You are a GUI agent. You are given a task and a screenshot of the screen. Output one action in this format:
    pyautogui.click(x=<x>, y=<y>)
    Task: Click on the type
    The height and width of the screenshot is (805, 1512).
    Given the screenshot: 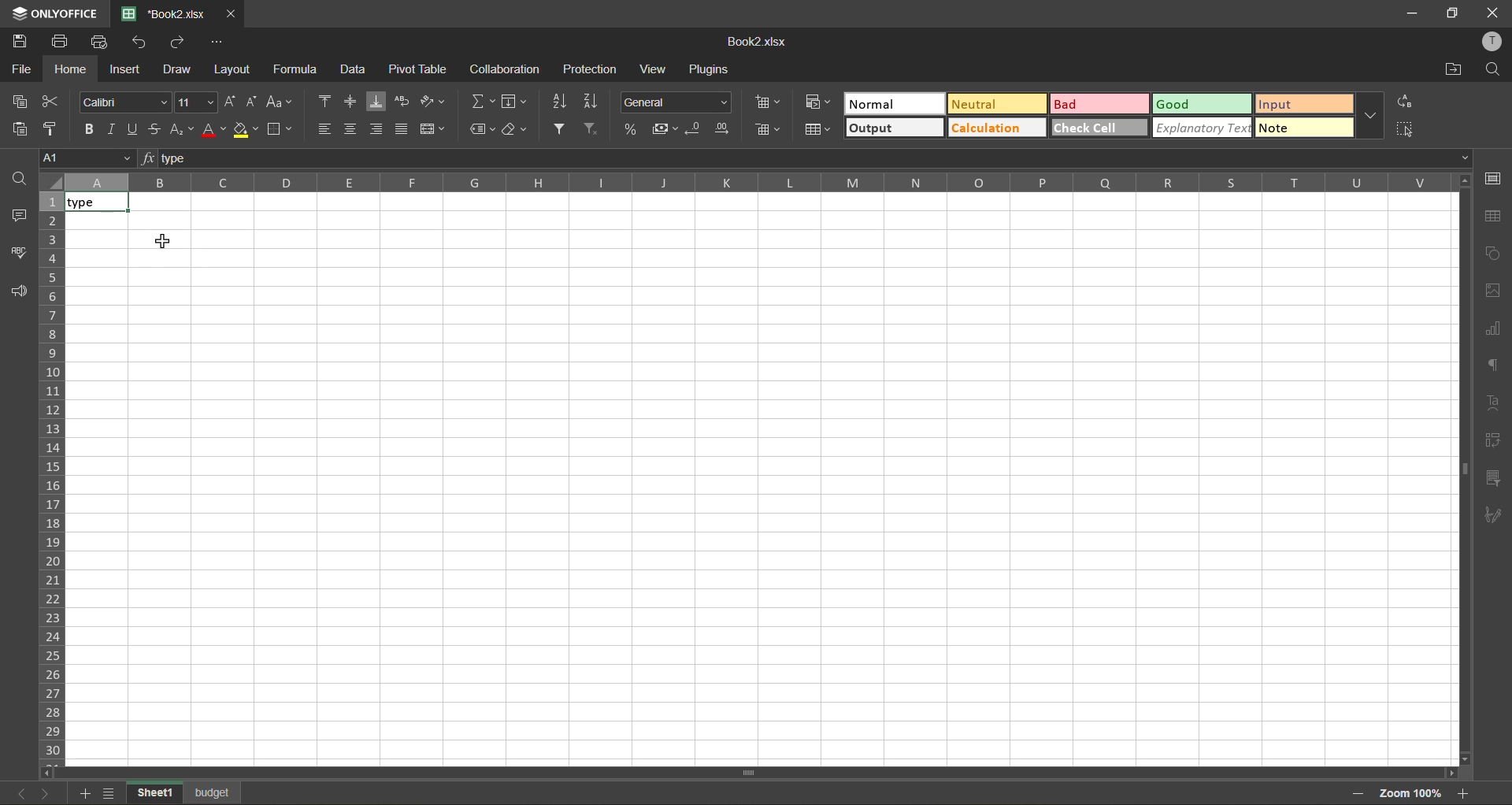 What is the action you would take?
    pyautogui.click(x=96, y=203)
    